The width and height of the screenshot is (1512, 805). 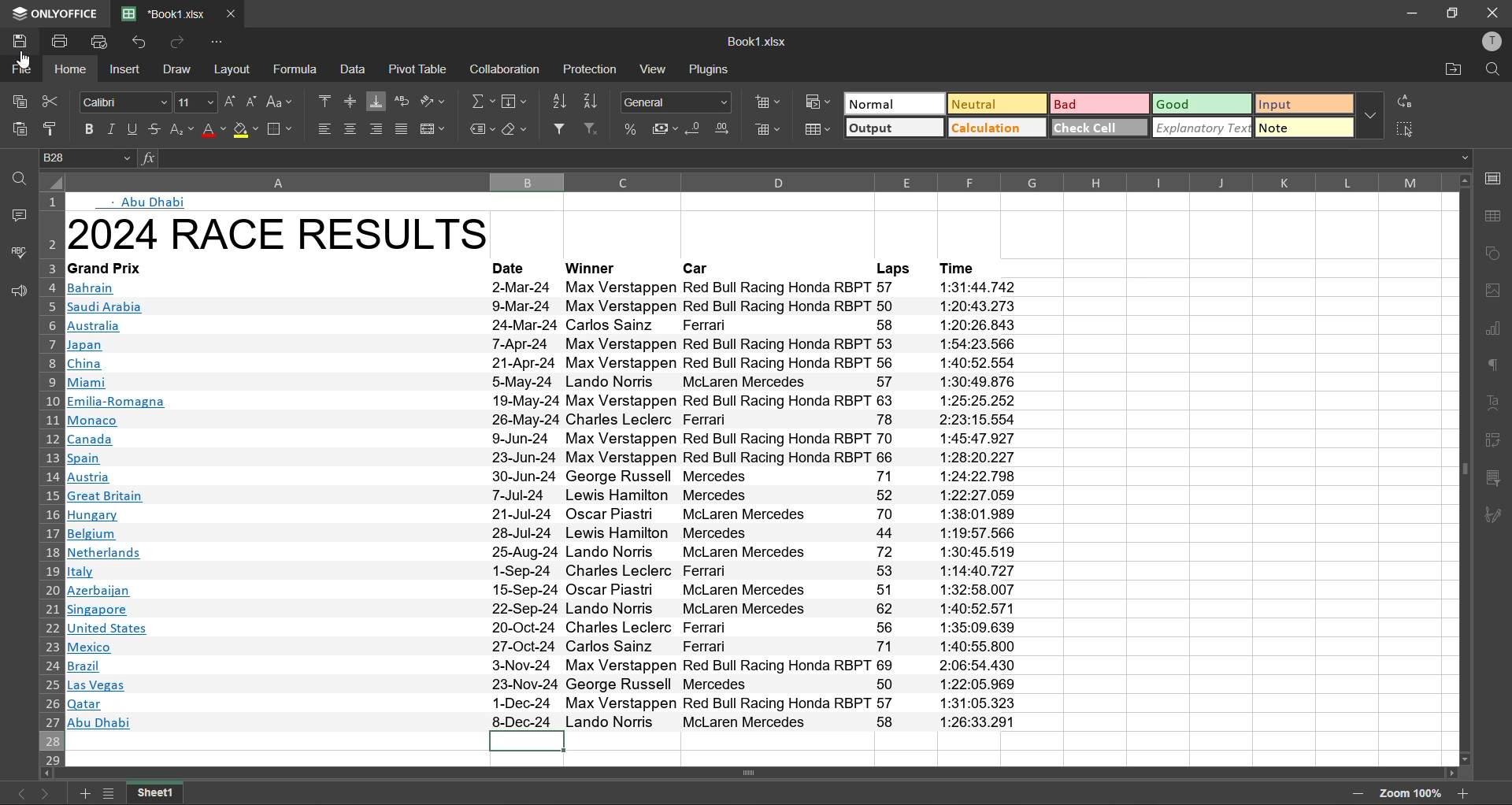 I want to click on bold, so click(x=86, y=131).